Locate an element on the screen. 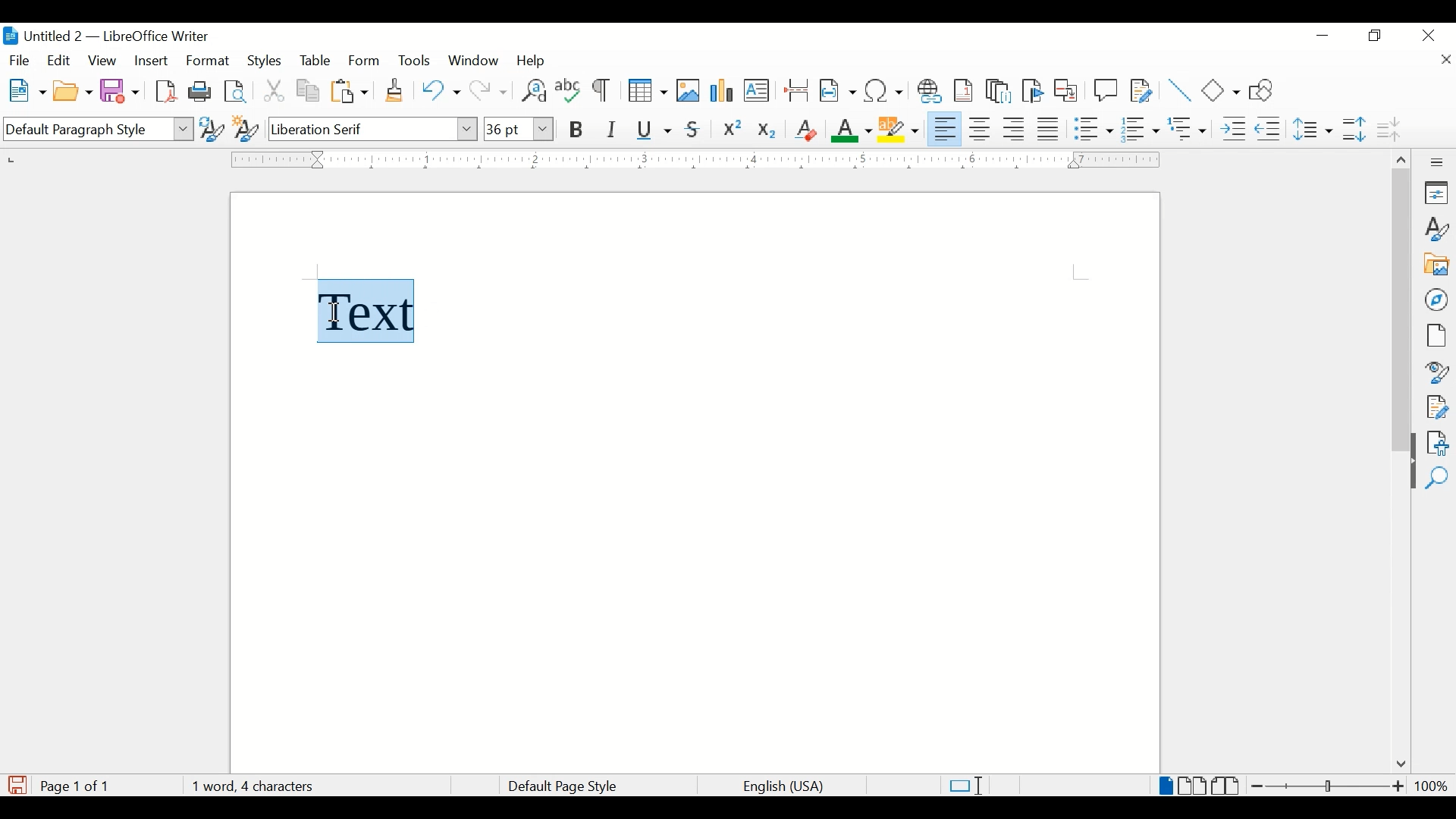  window is located at coordinates (475, 61).